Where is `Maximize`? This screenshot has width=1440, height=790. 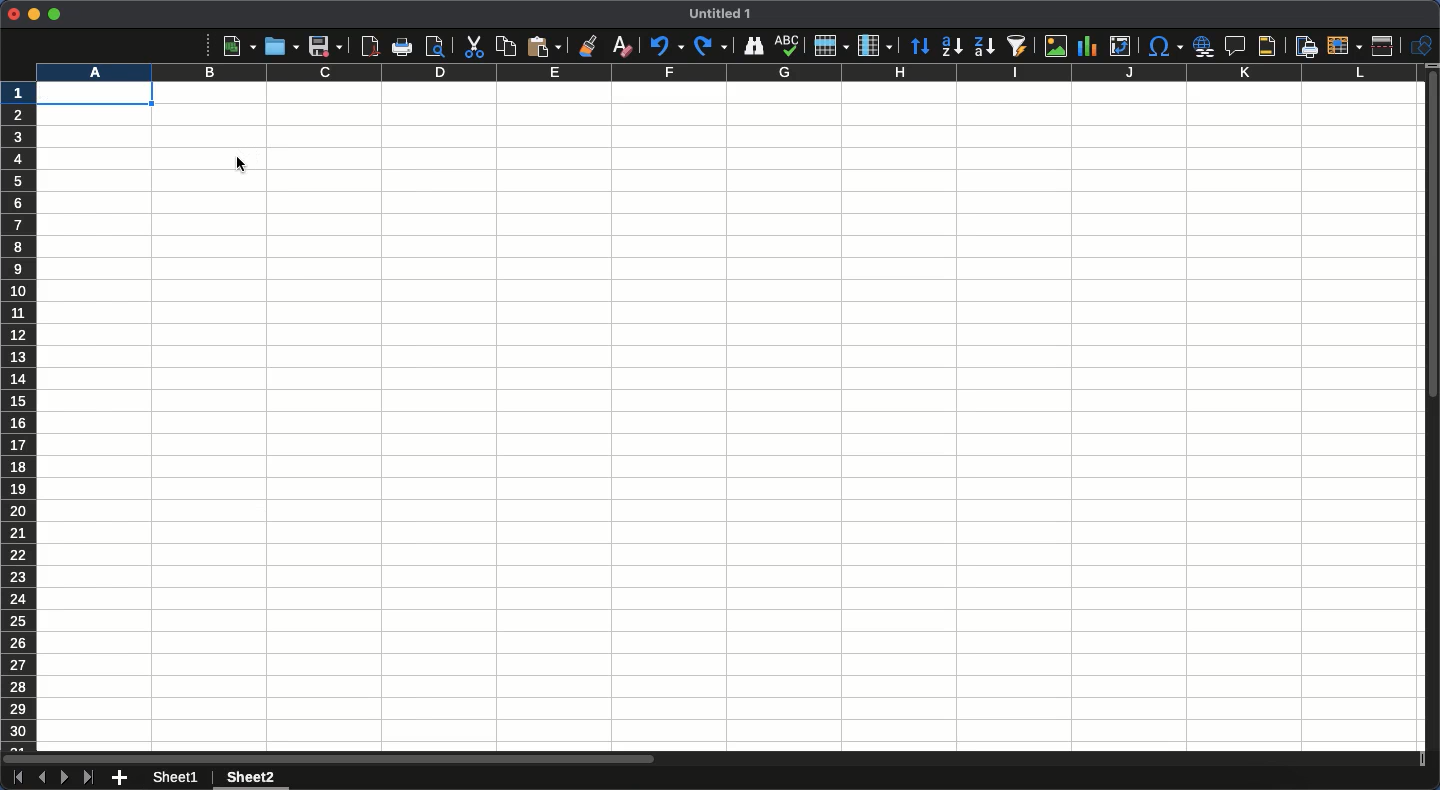 Maximize is located at coordinates (54, 14).